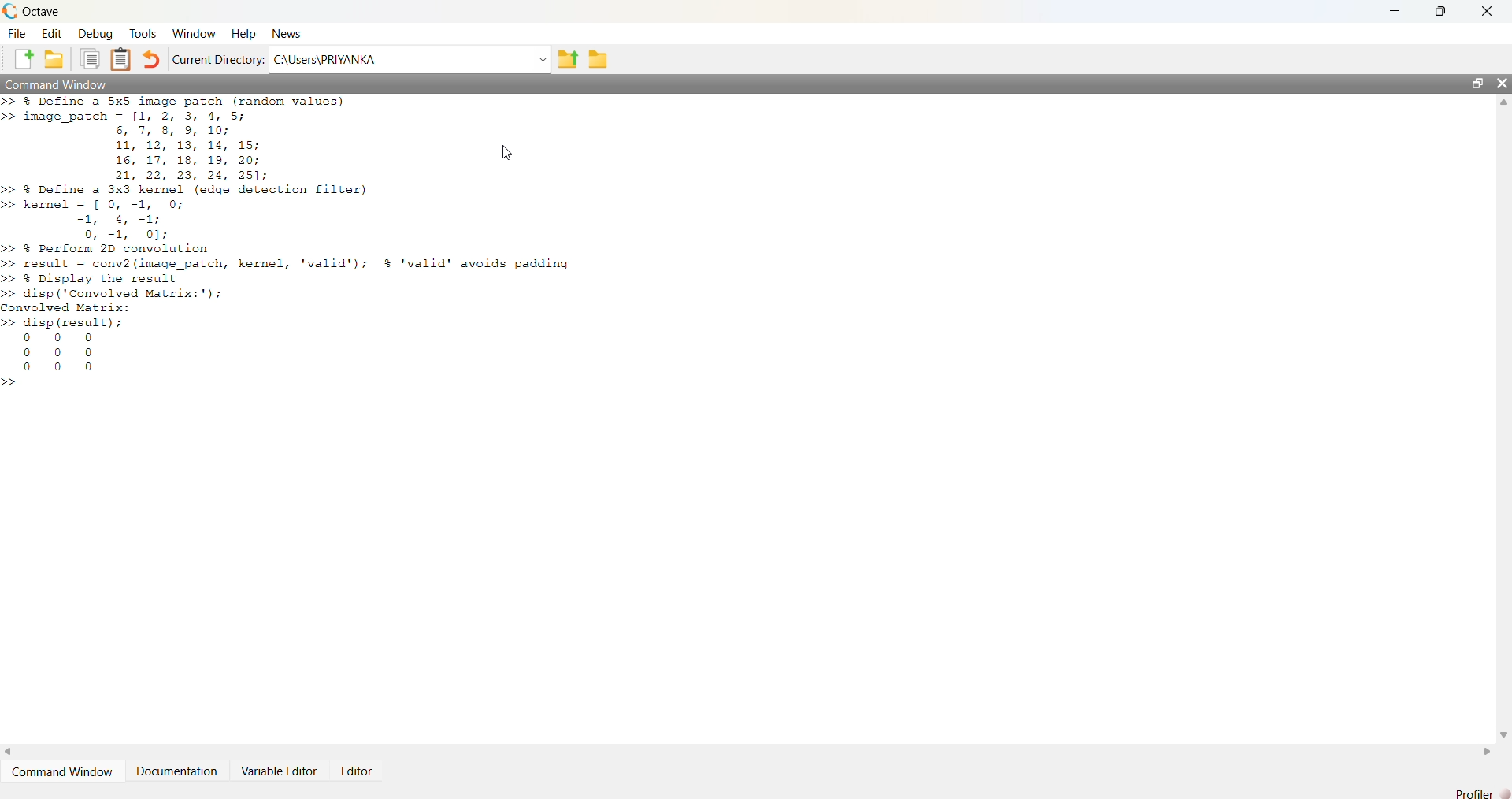 This screenshot has width=1512, height=799. I want to click on Close, so click(1502, 85).